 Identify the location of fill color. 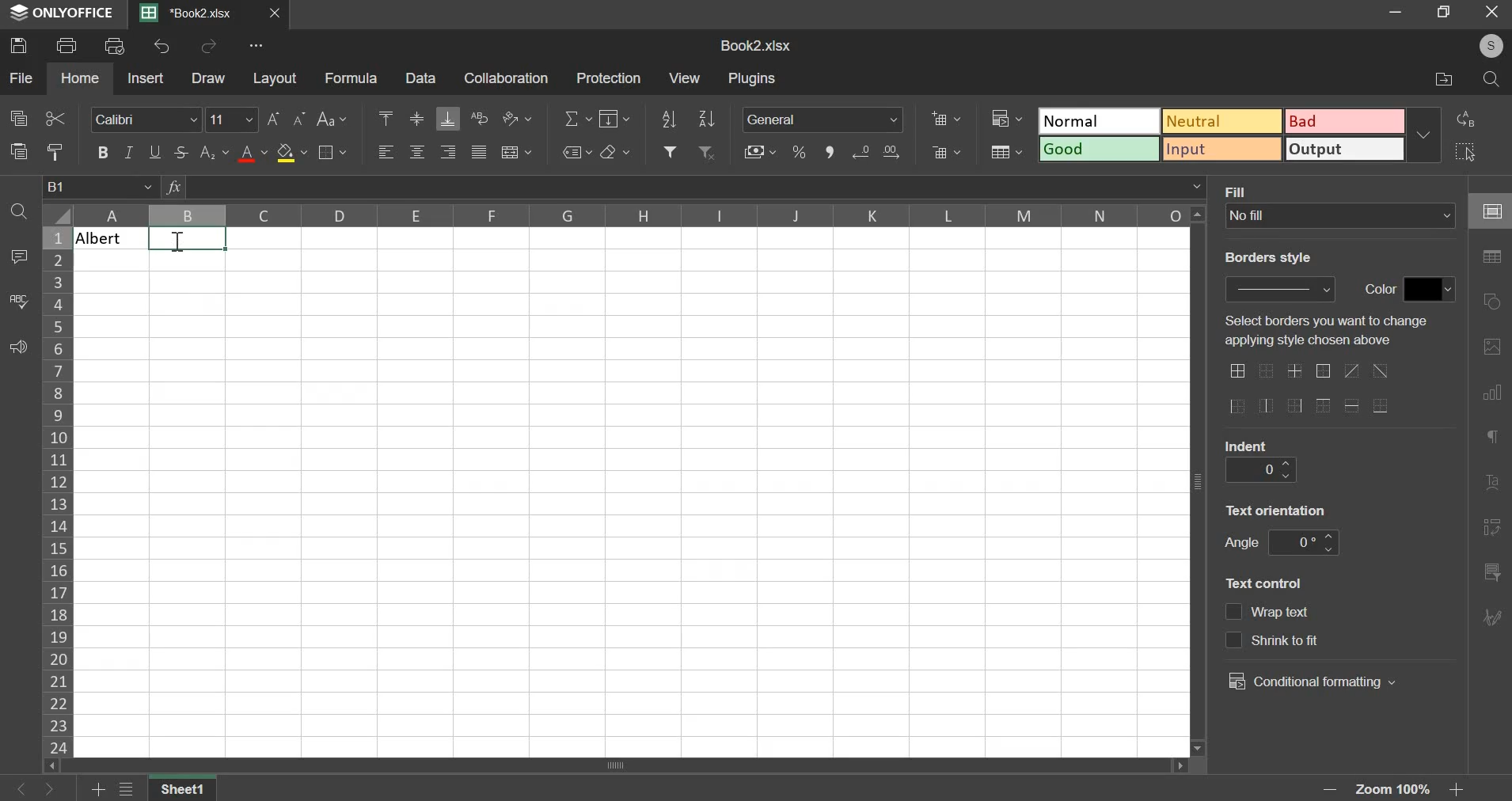
(292, 153).